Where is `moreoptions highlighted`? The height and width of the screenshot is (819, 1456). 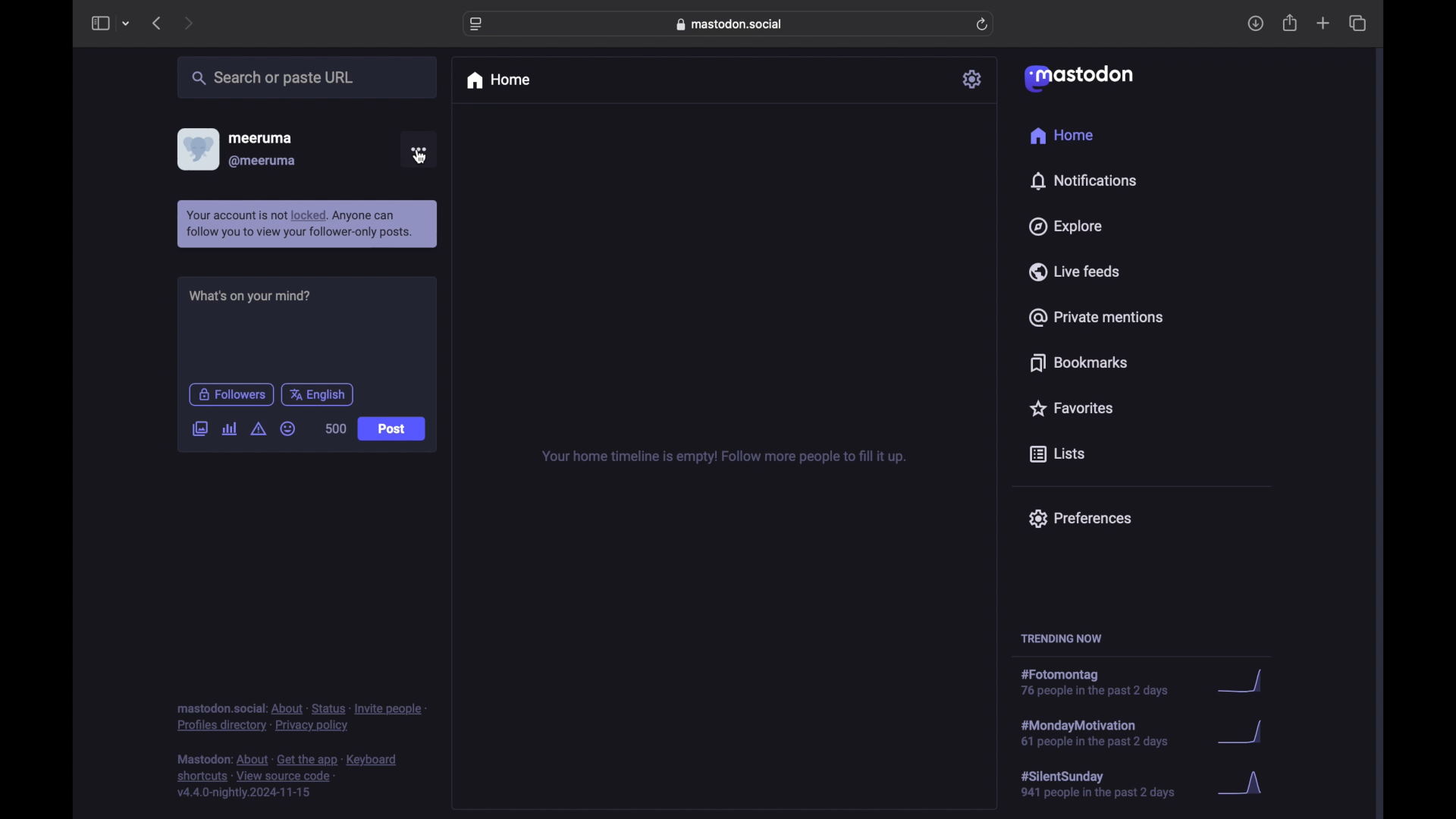 moreoptions highlighted is located at coordinates (419, 151).